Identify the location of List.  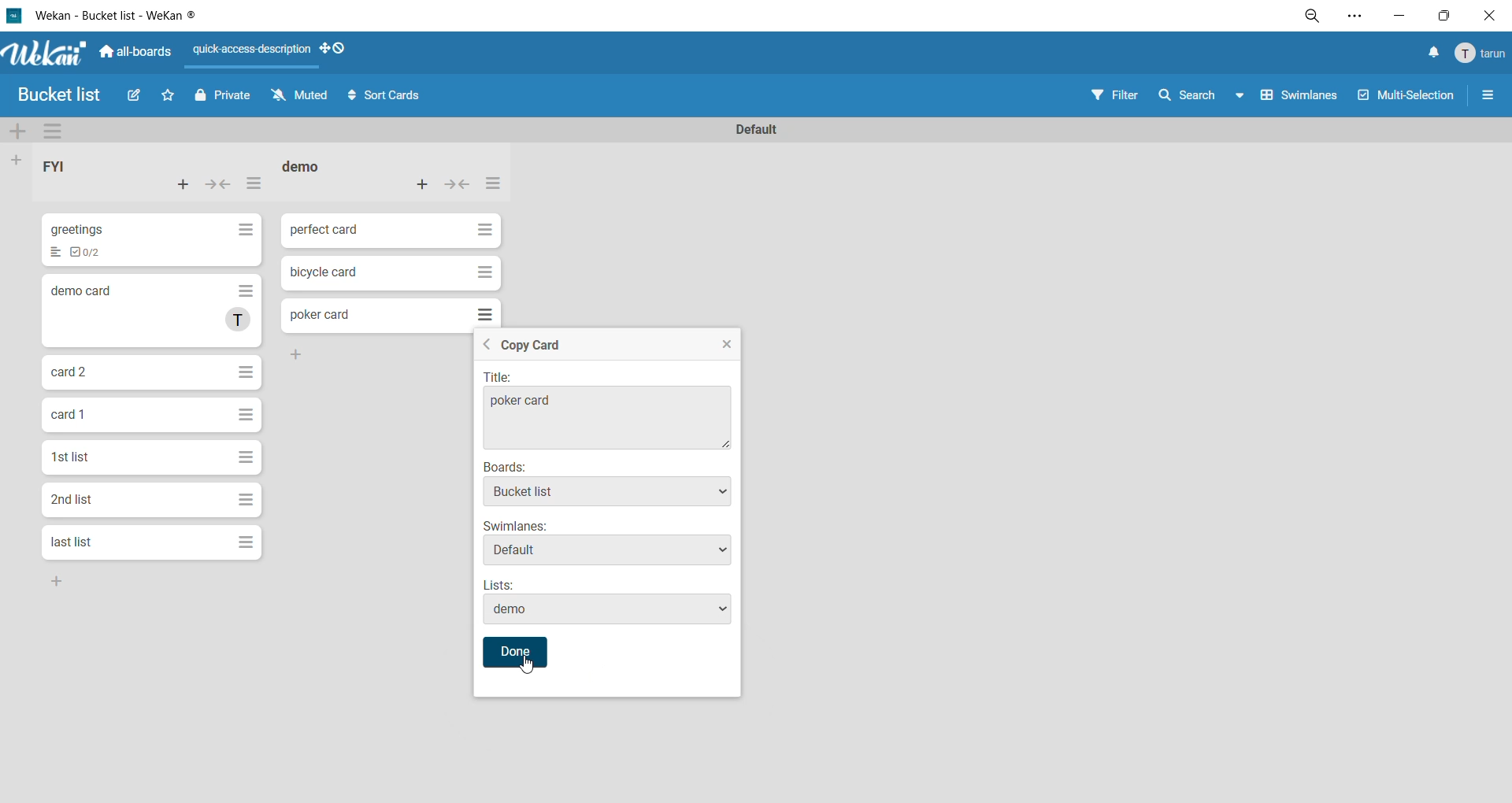
(52, 254).